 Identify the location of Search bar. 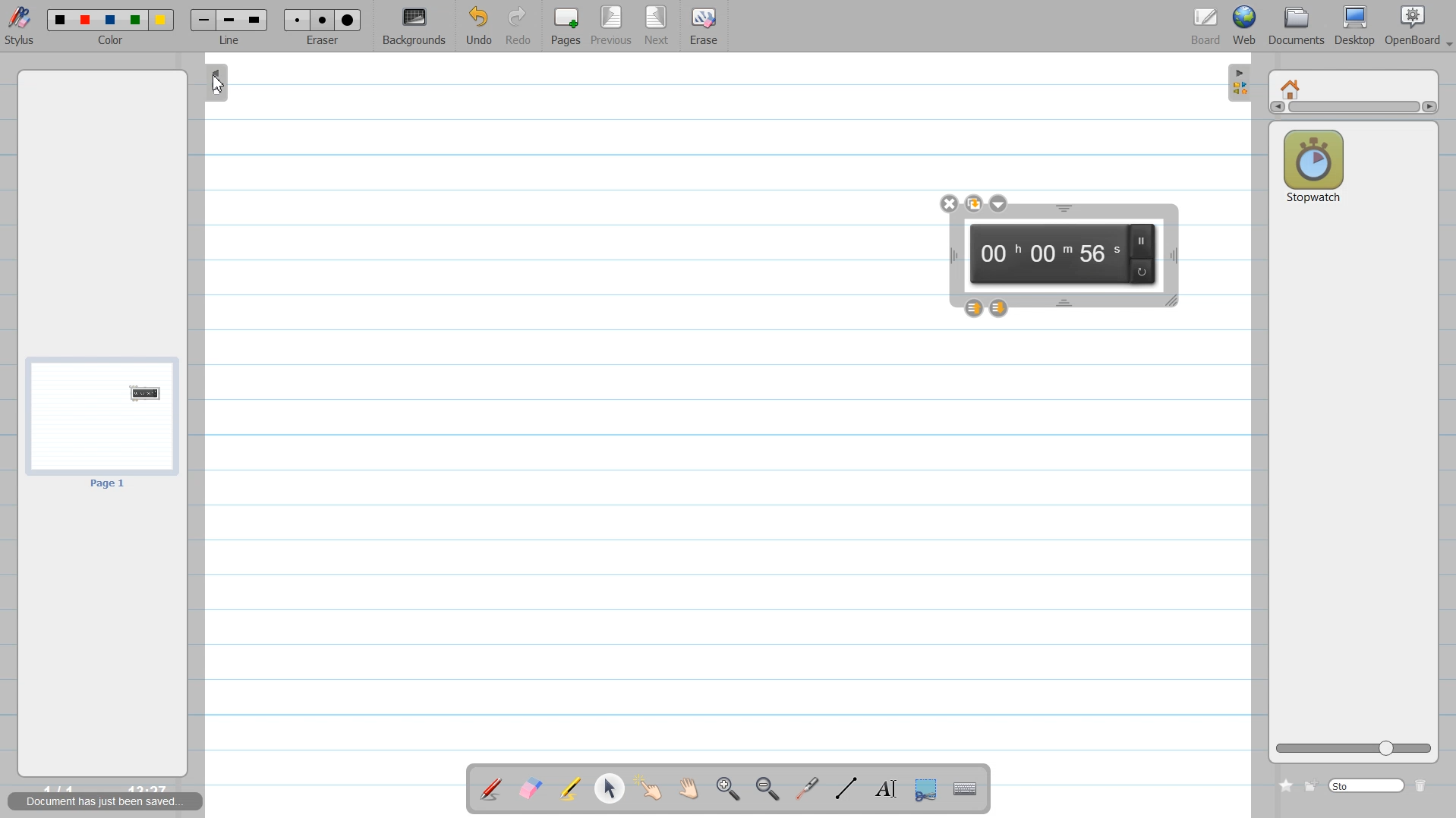
(1367, 785).